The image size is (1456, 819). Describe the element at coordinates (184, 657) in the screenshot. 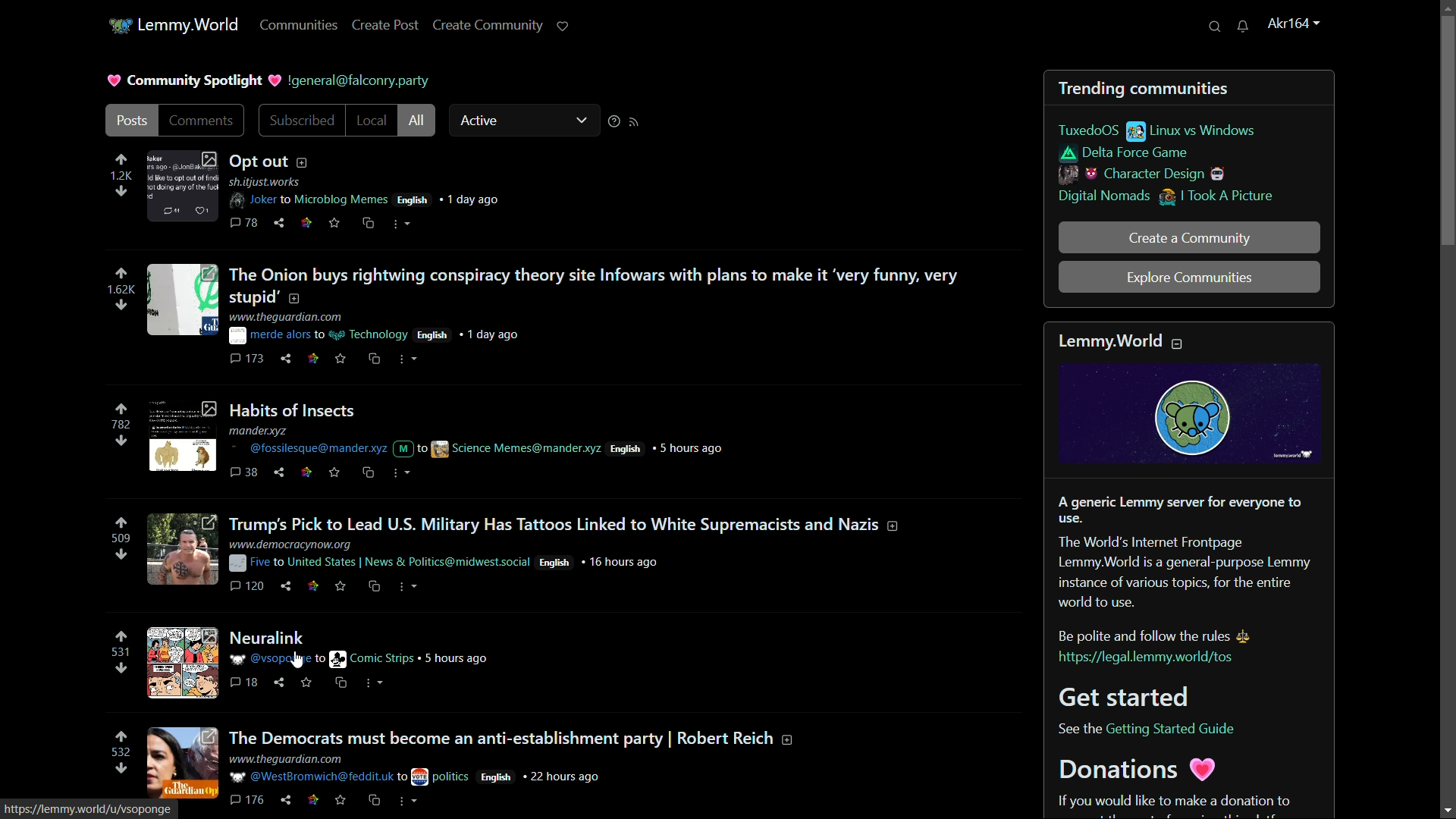

I see `image` at that location.